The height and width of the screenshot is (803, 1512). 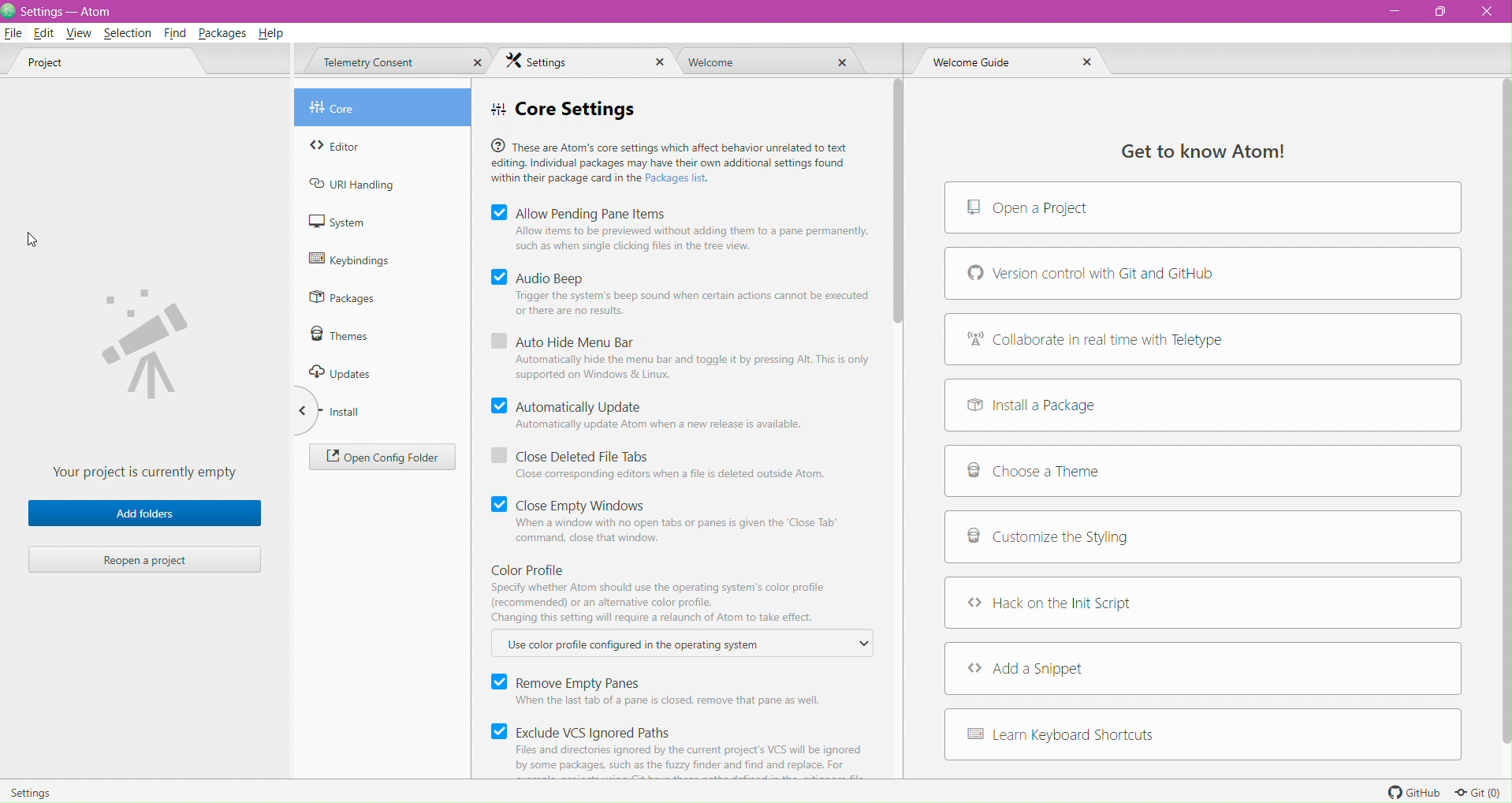 I want to click on Edit, so click(x=43, y=34).